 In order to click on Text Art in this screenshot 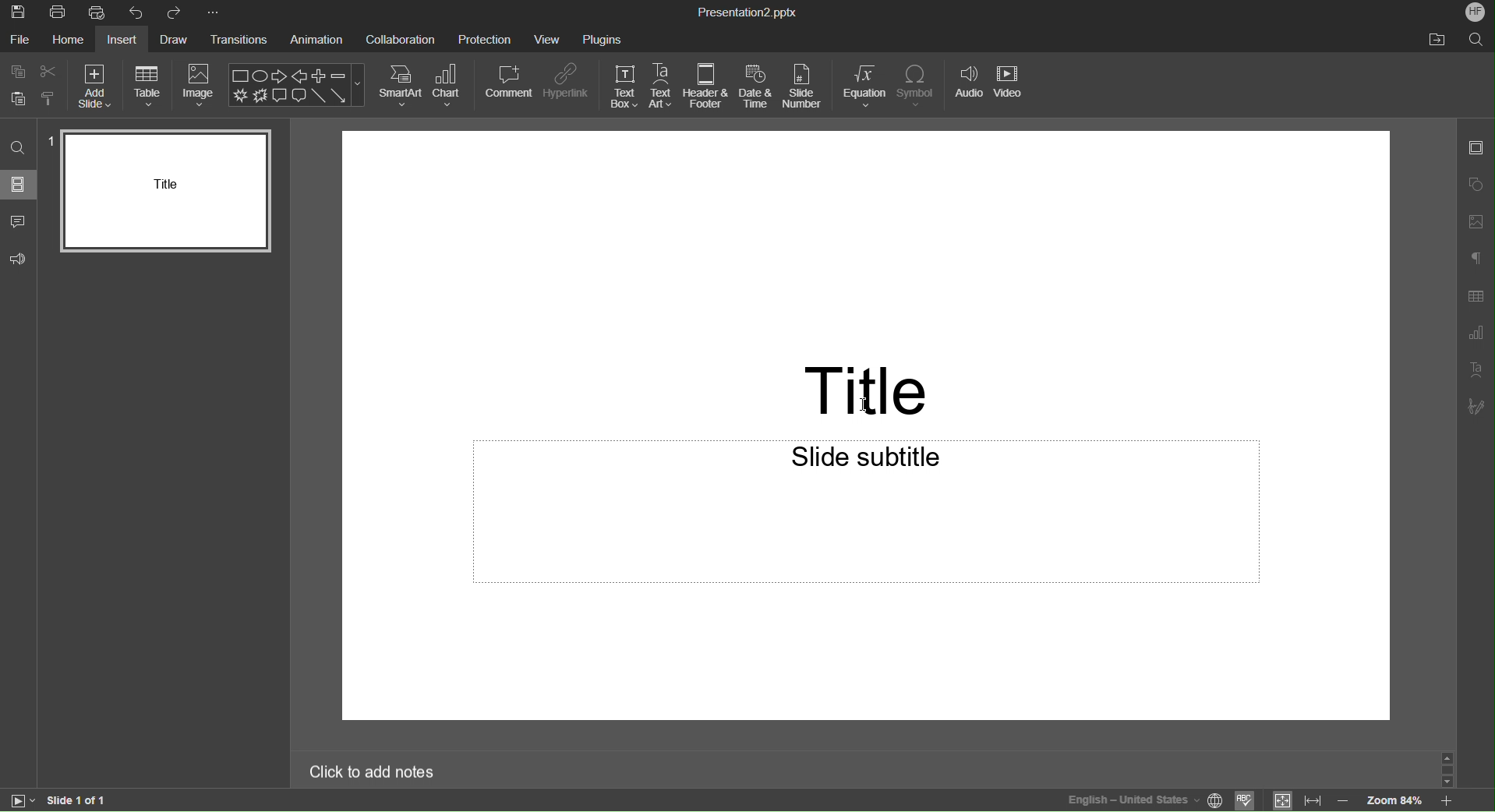, I will do `click(663, 86)`.